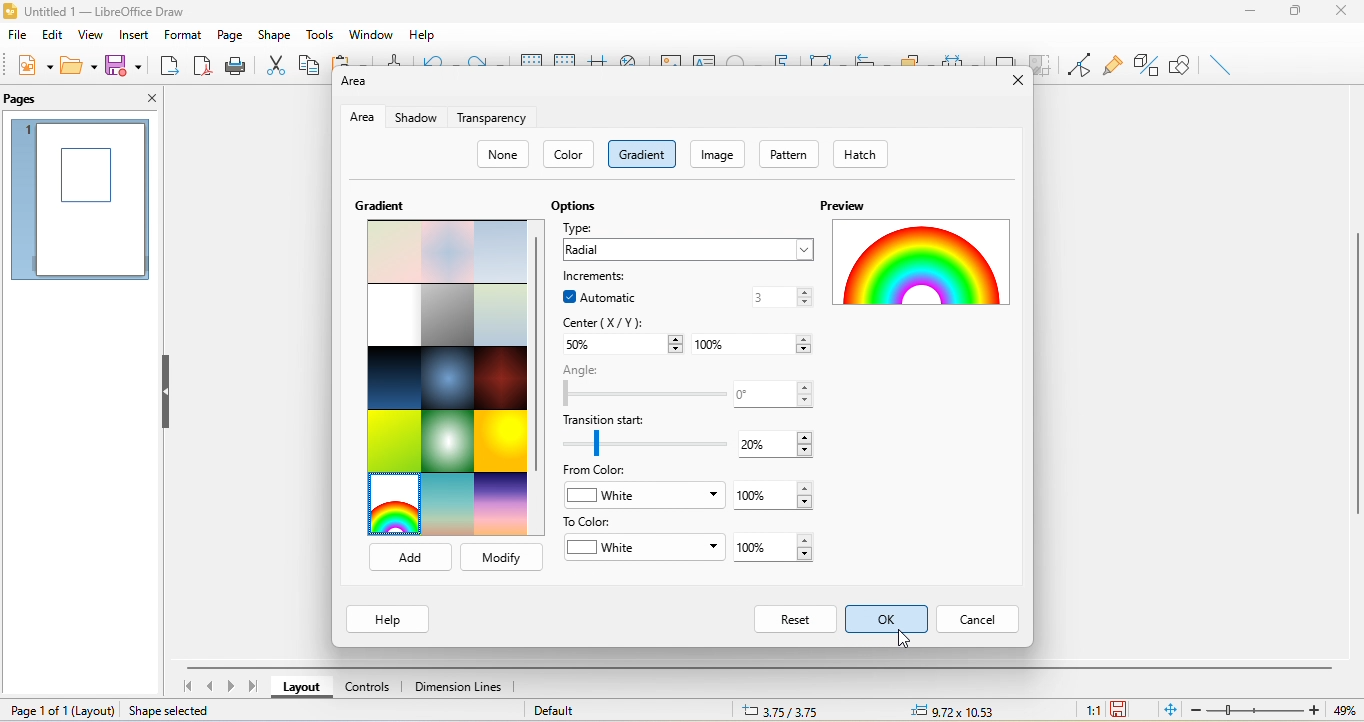 The width and height of the screenshot is (1364, 722). Describe the element at coordinates (392, 442) in the screenshot. I see `green grass` at that location.